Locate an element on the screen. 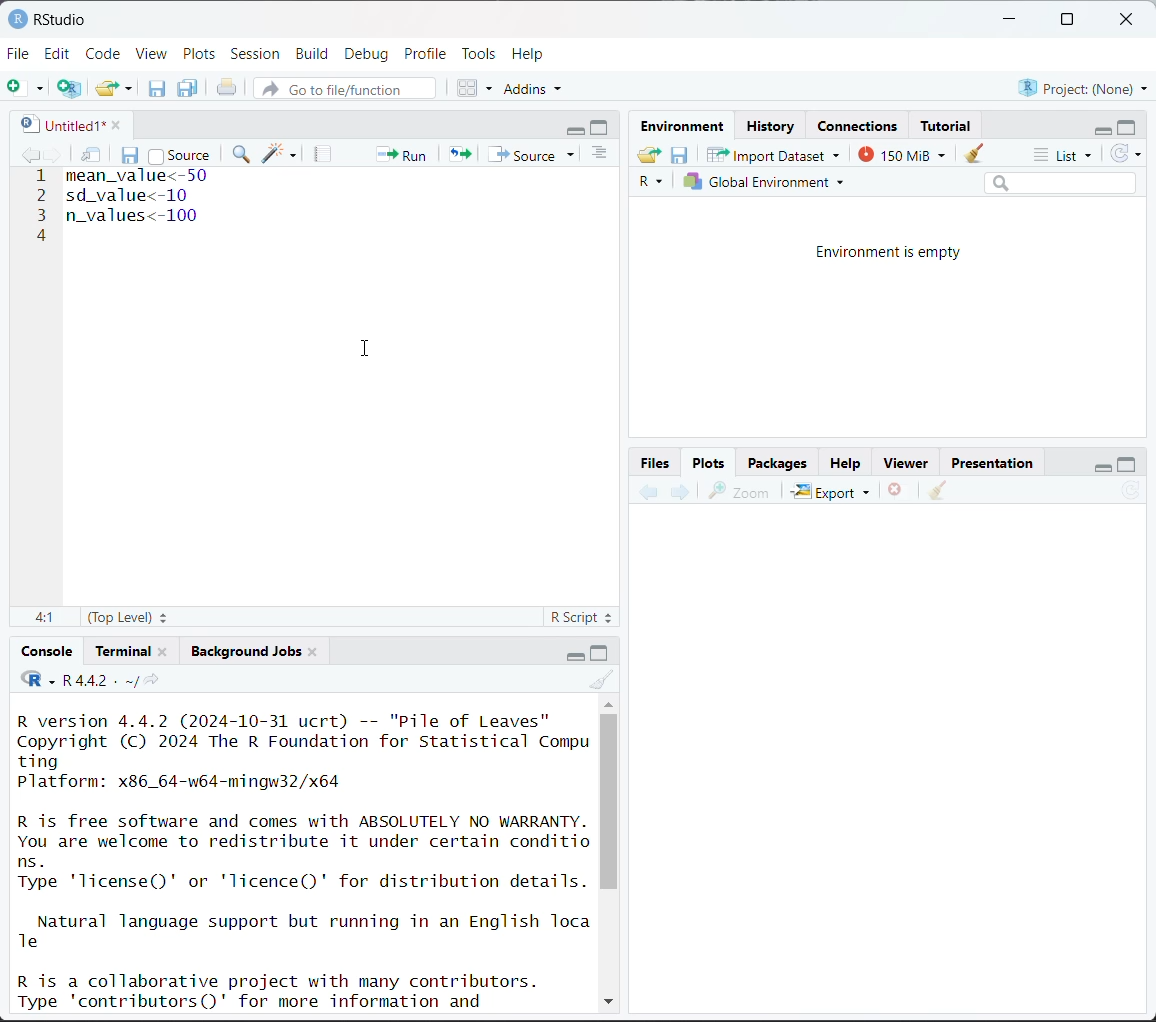 This screenshot has height=1022, width=1156. Console is located at coordinates (48, 651).